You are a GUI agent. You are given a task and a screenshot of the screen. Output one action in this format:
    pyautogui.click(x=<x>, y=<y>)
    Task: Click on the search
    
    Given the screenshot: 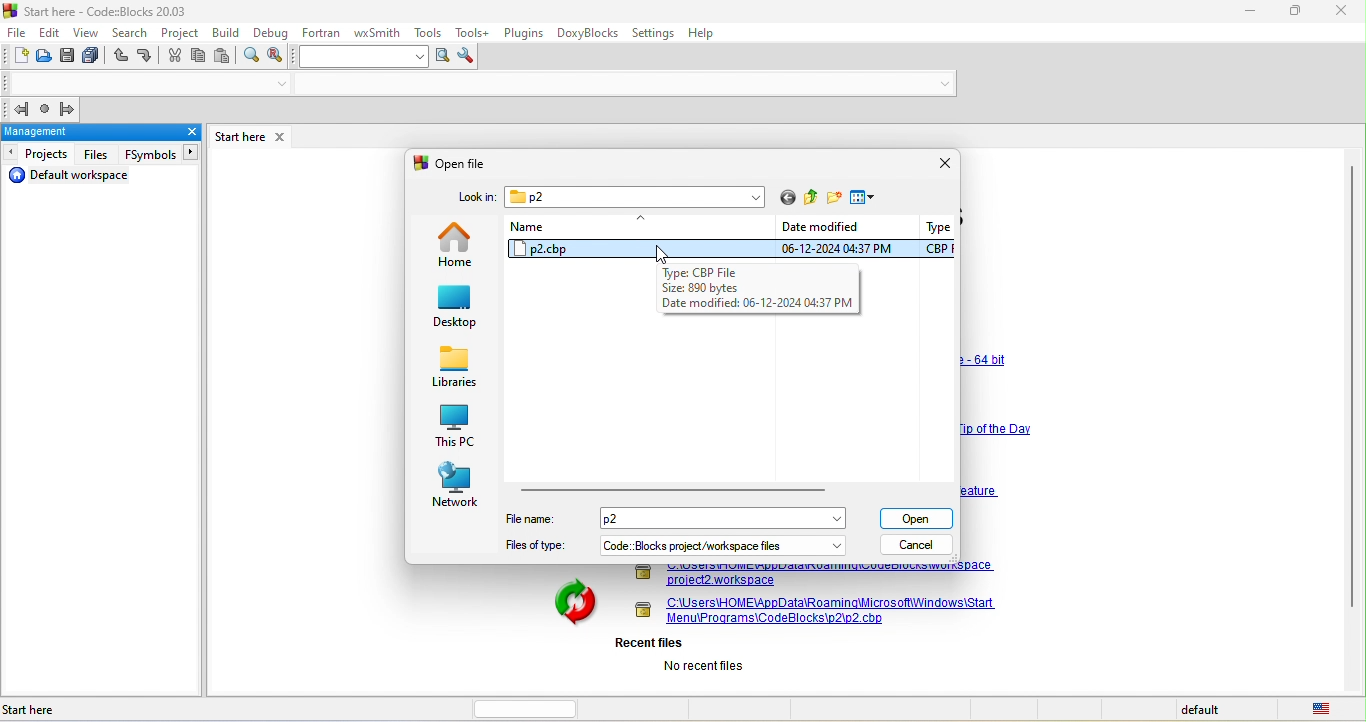 What is the action you would take?
    pyautogui.click(x=134, y=32)
    